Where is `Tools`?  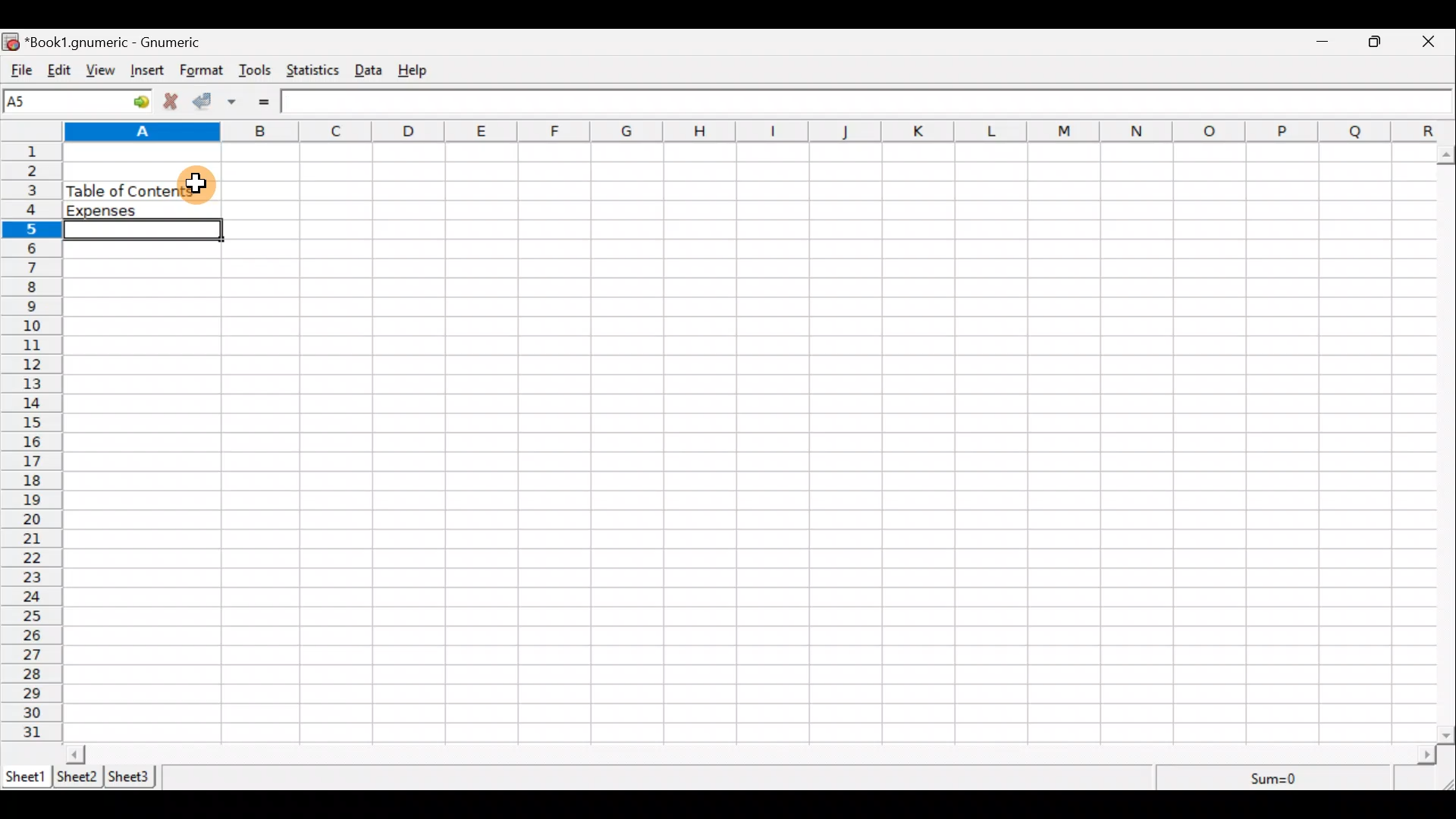 Tools is located at coordinates (256, 71).